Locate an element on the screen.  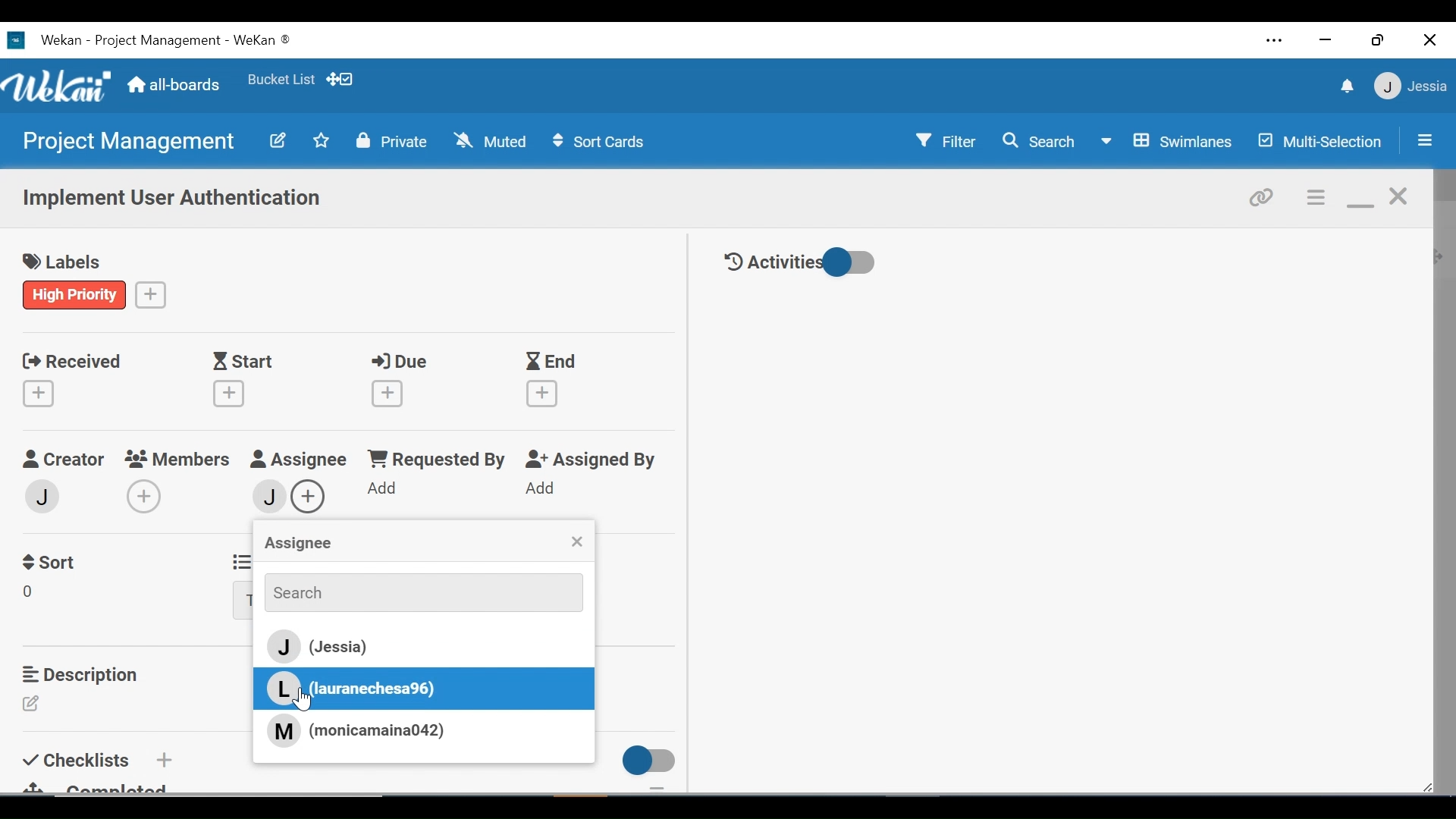
Field is located at coordinates (33, 594).